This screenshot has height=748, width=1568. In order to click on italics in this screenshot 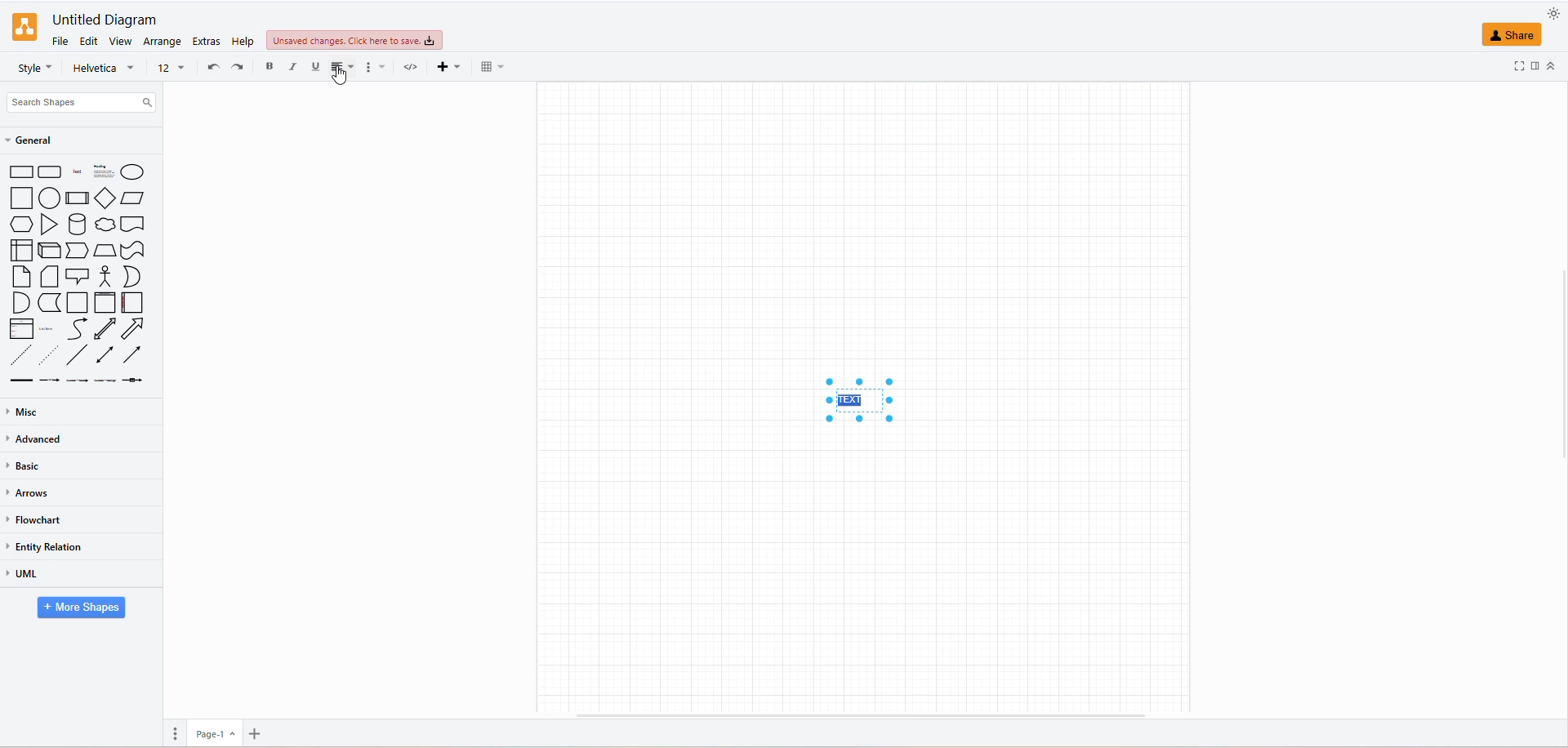, I will do `click(293, 66)`.